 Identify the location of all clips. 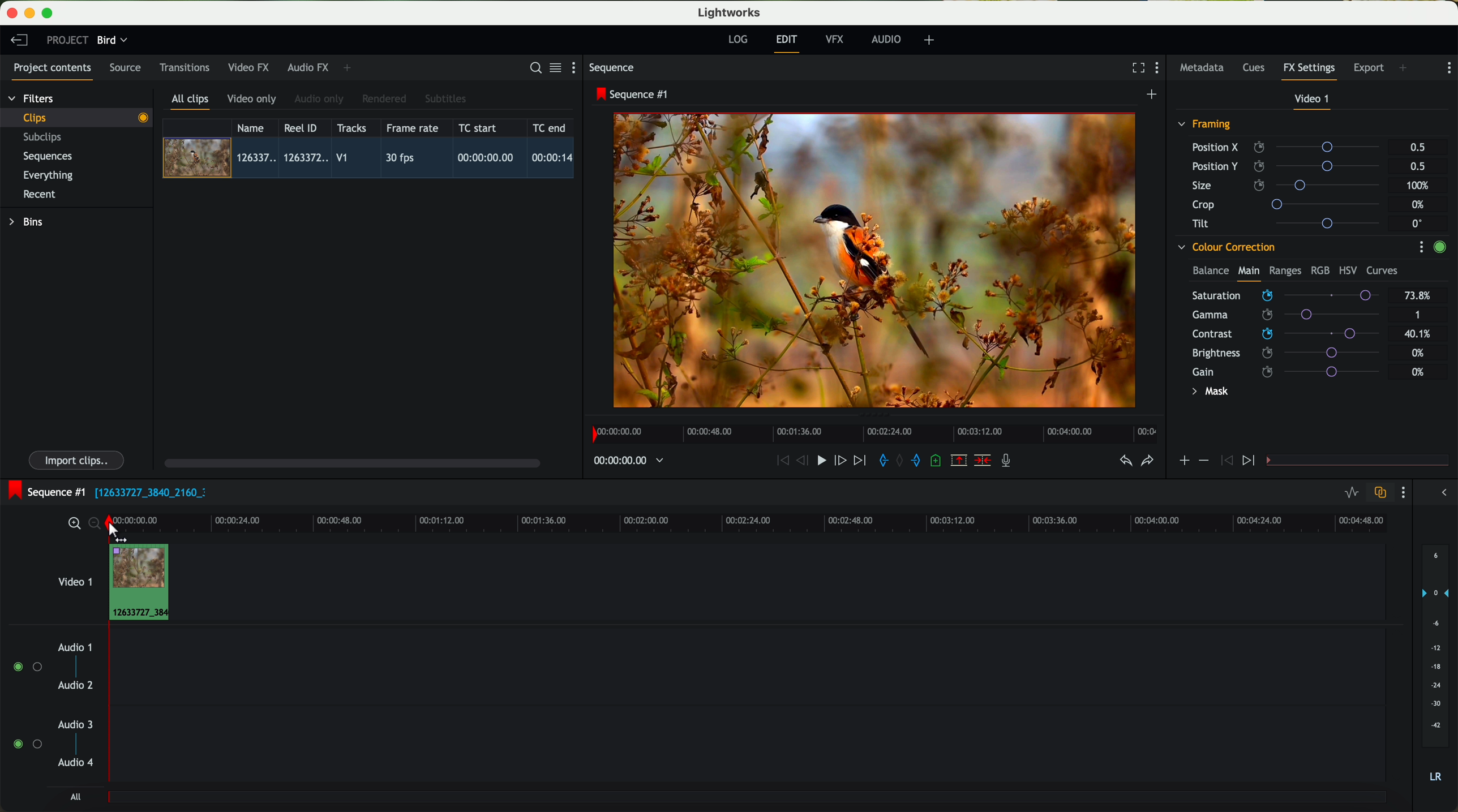
(191, 102).